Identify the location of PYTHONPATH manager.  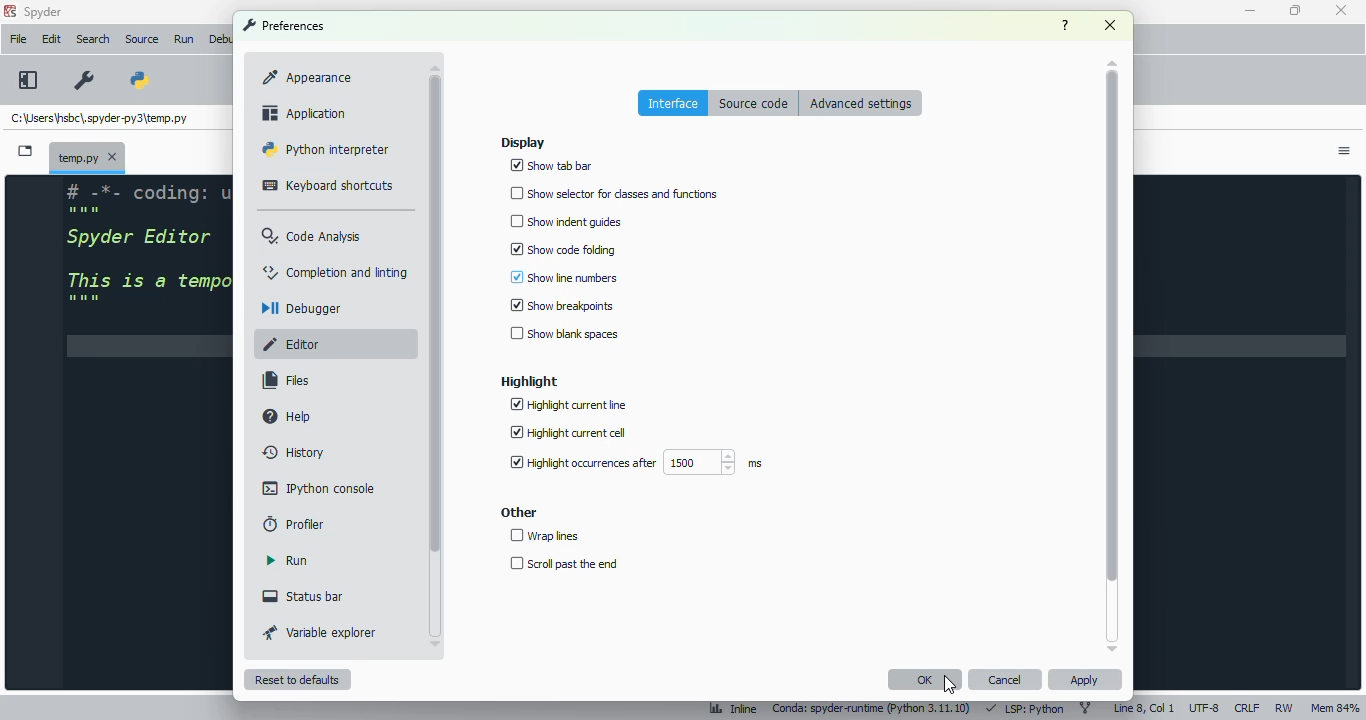
(148, 73).